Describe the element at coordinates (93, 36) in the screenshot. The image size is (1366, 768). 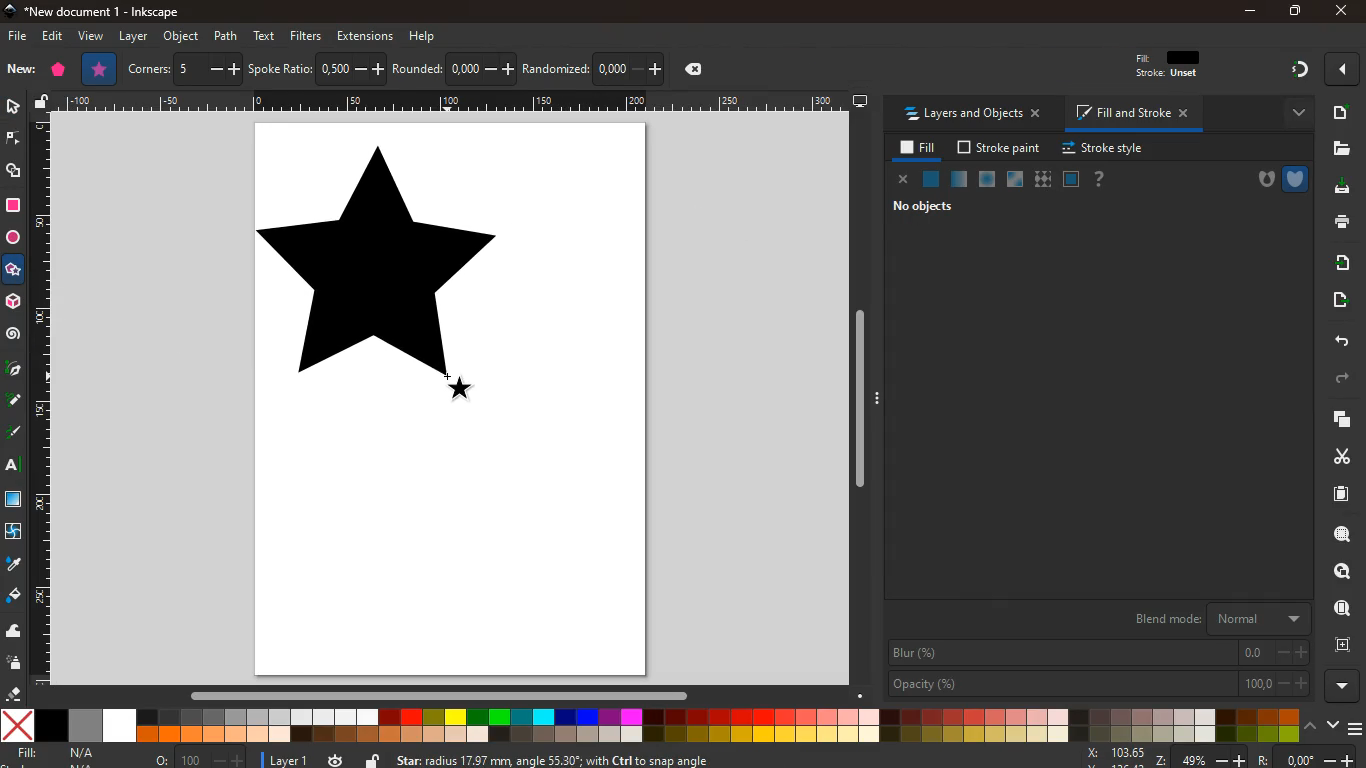
I see `view` at that location.